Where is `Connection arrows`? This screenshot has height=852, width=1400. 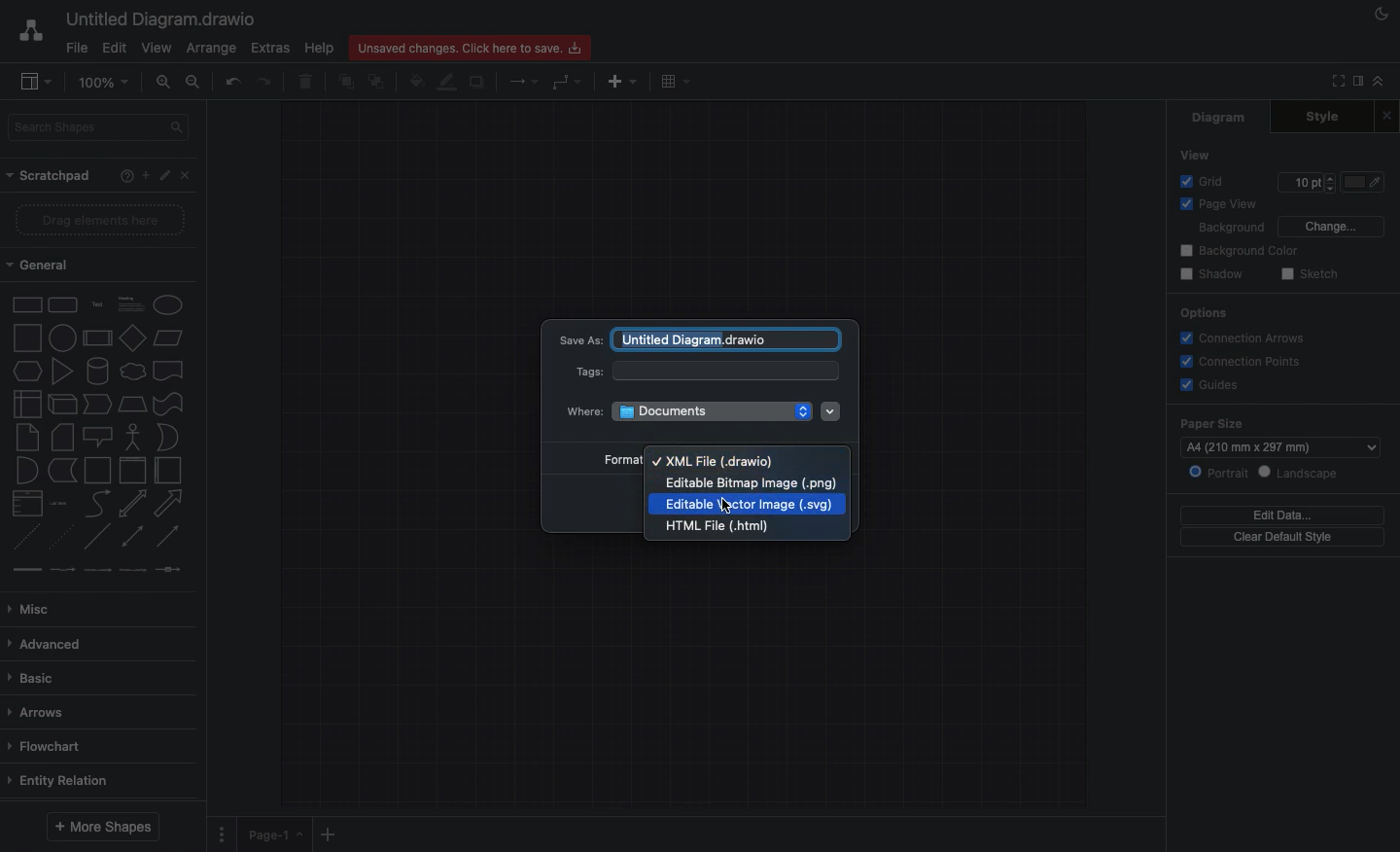
Connection arrows is located at coordinates (1246, 338).